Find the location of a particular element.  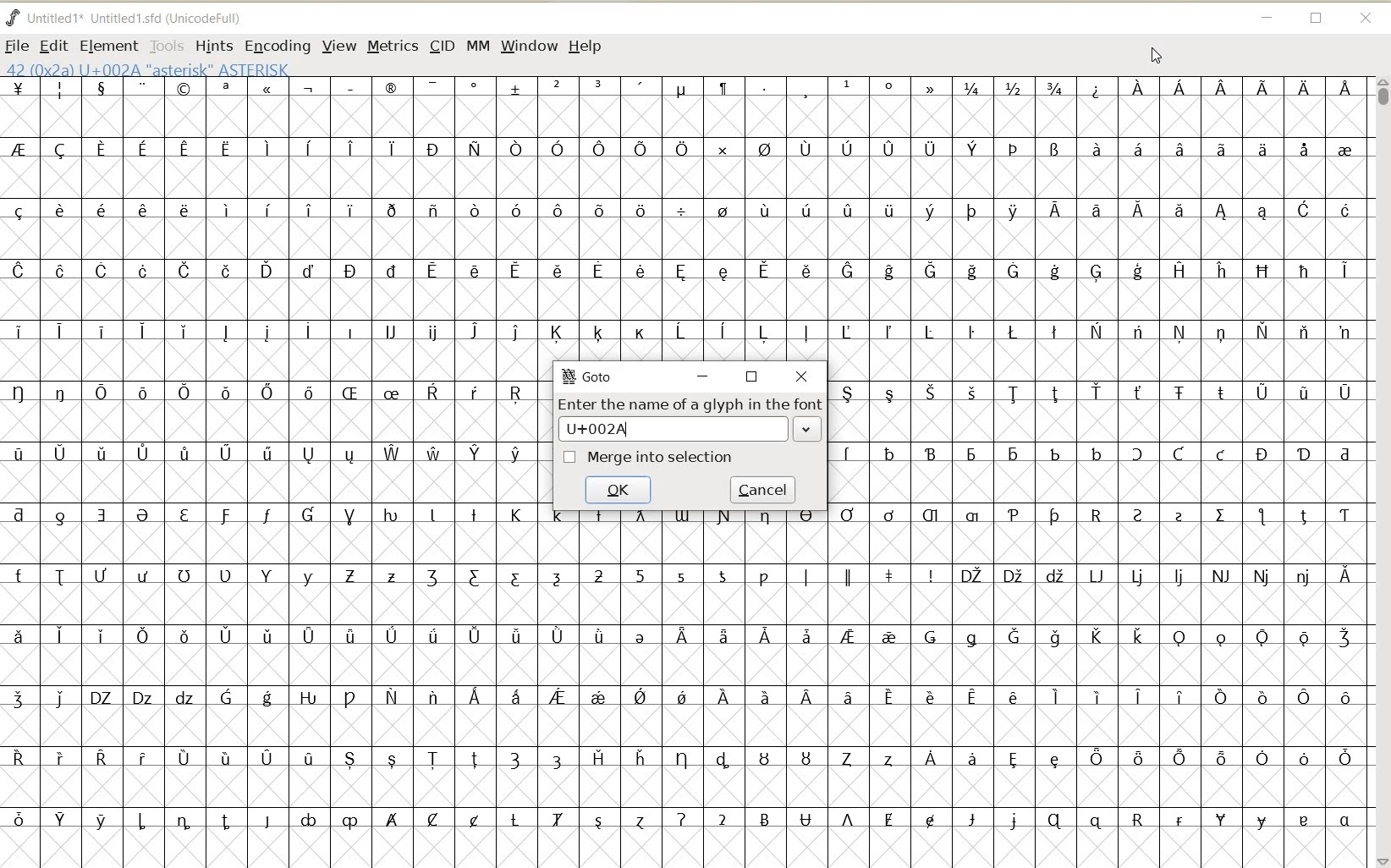

cancel is located at coordinates (762, 489).